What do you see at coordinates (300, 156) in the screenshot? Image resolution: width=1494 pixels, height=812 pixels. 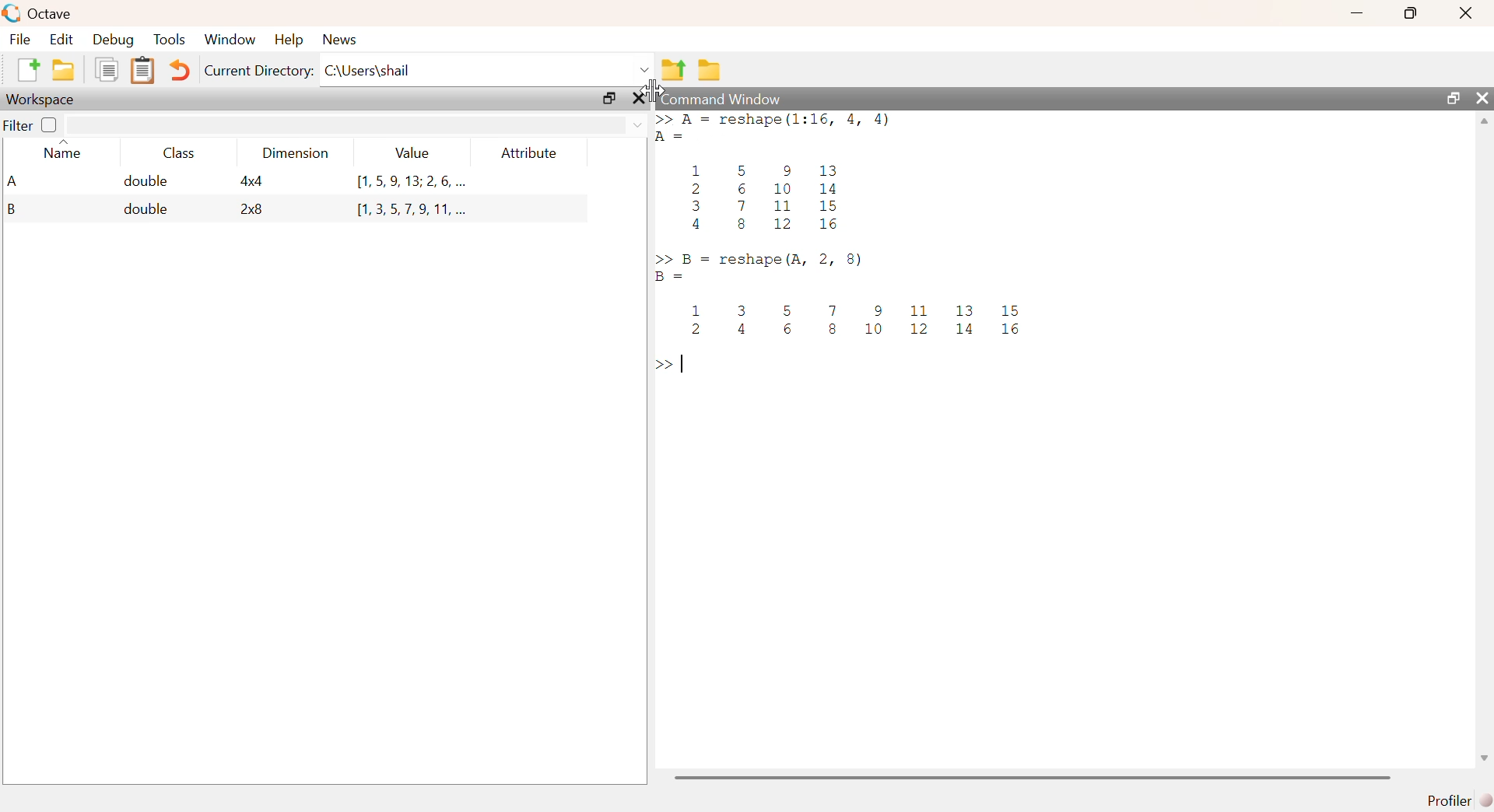 I see `dimension` at bounding box center [300, 156].